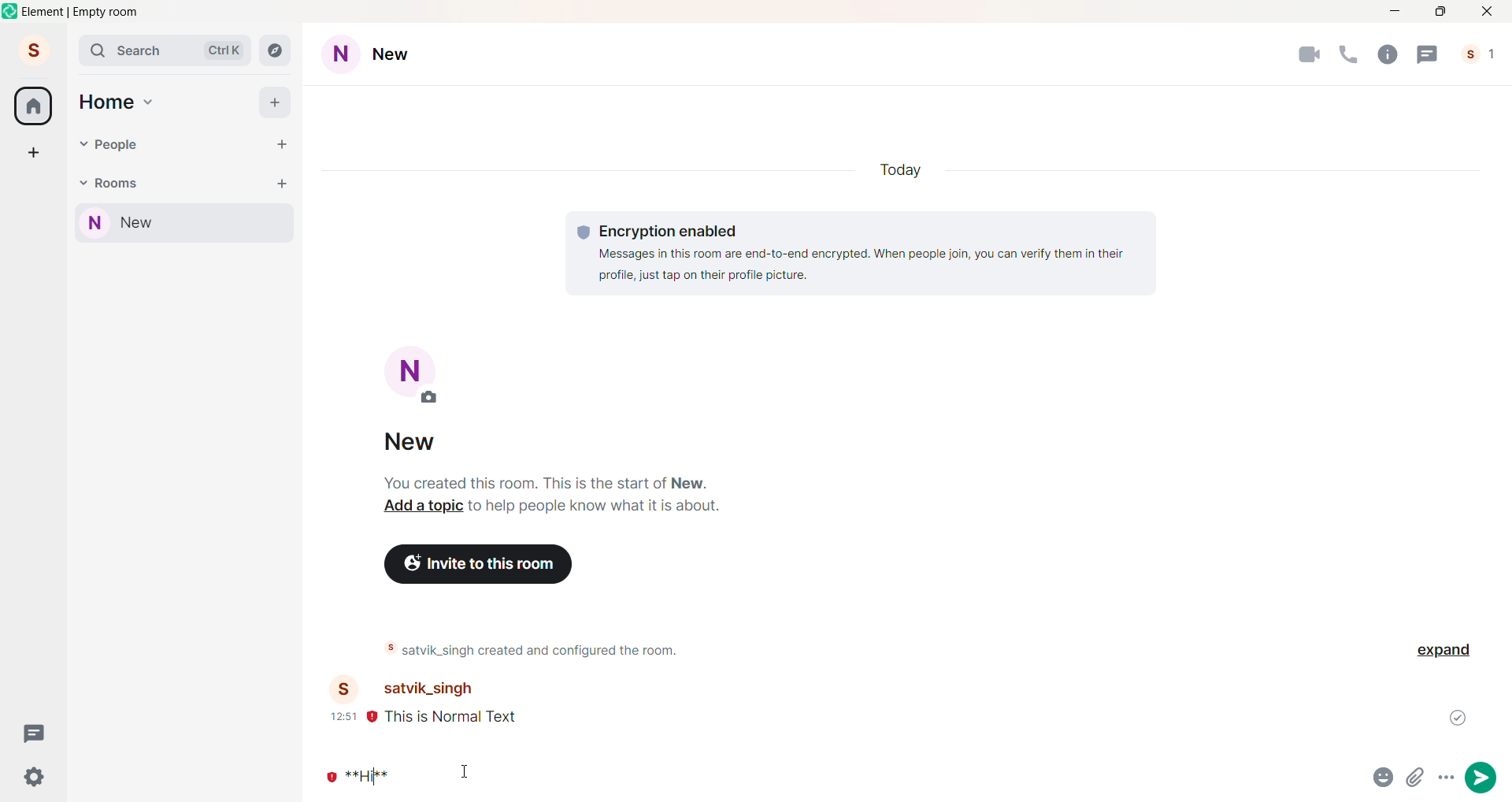 This screenshot has height=802, width=1512. Describe the element at coordinates (372, 719) in the screenshot. I see `Not Encrypted` at that location.